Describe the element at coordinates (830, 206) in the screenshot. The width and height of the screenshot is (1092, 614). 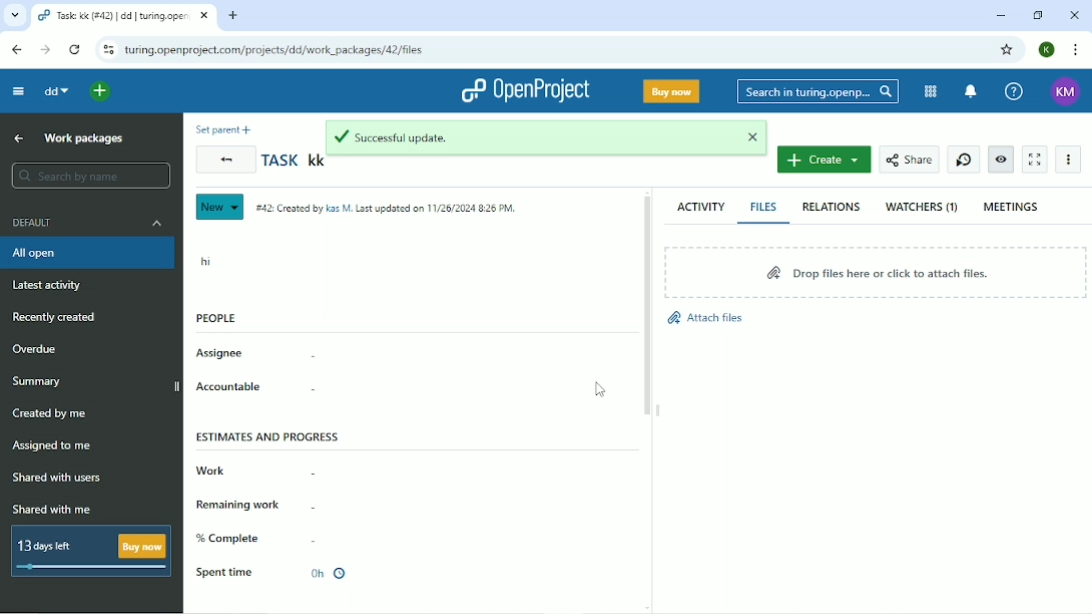
I see `Relations` at that location.